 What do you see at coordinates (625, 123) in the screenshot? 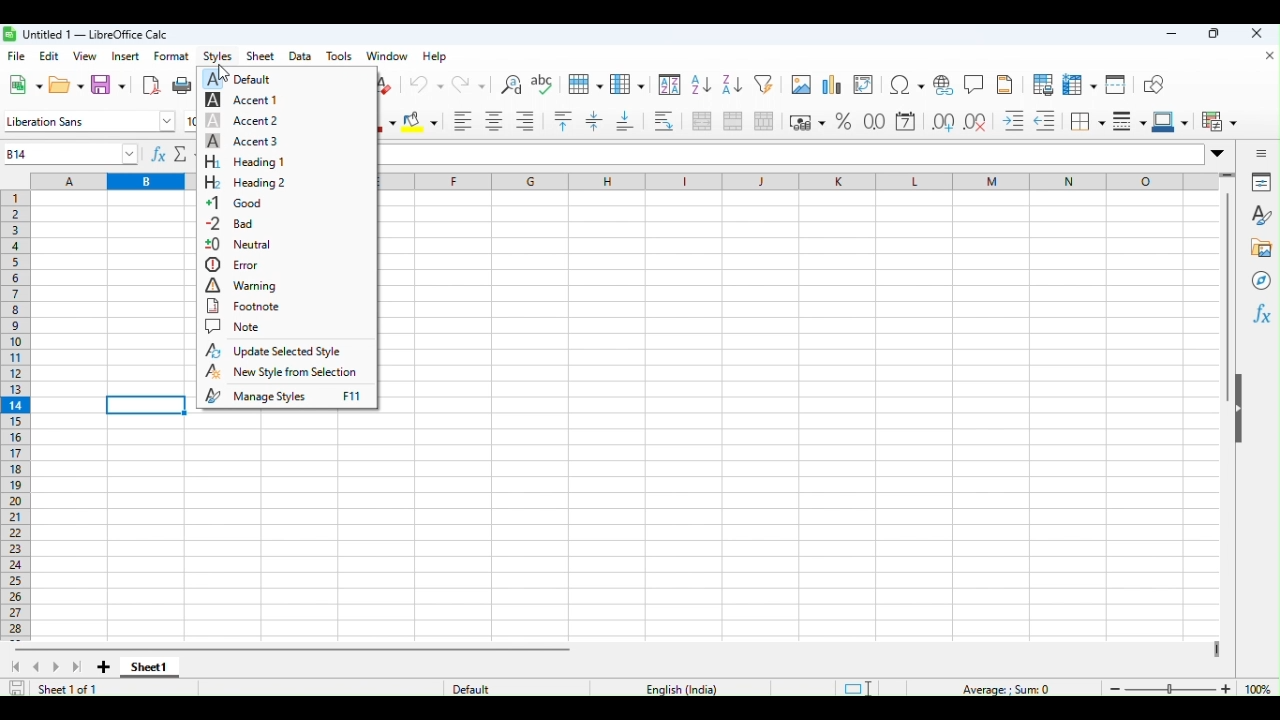
I see `Bottom alignment` at bounding box center [625, 123].